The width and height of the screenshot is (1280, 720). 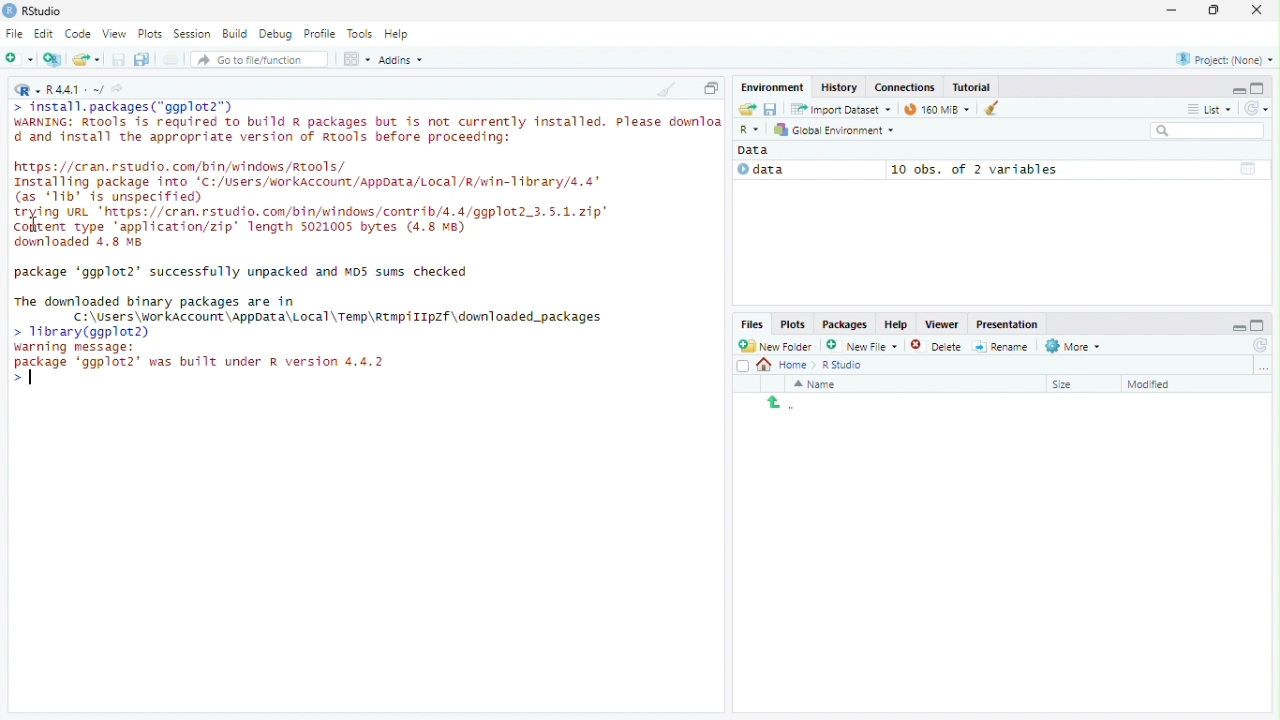 I want to click on Rename selected file/folder, so click(x=1001, y=345).